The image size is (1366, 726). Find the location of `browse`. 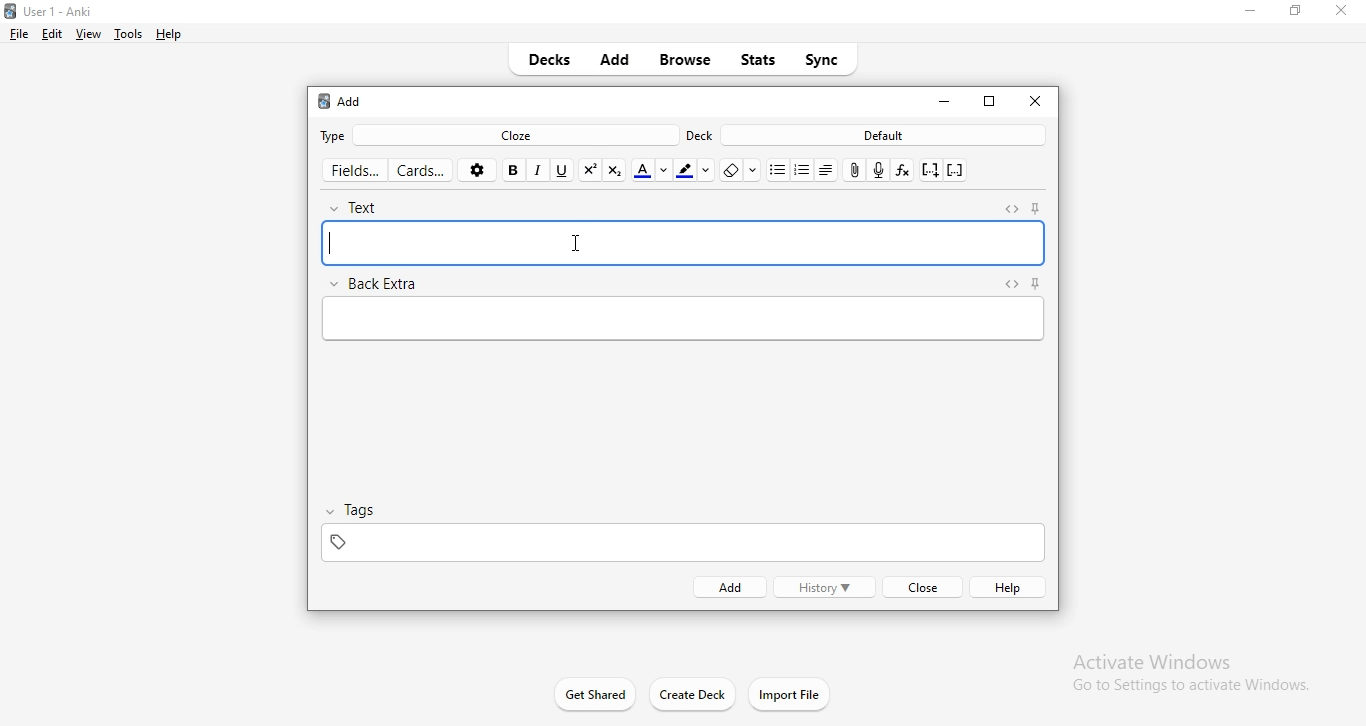

browse is located at coordinates (685, 63).